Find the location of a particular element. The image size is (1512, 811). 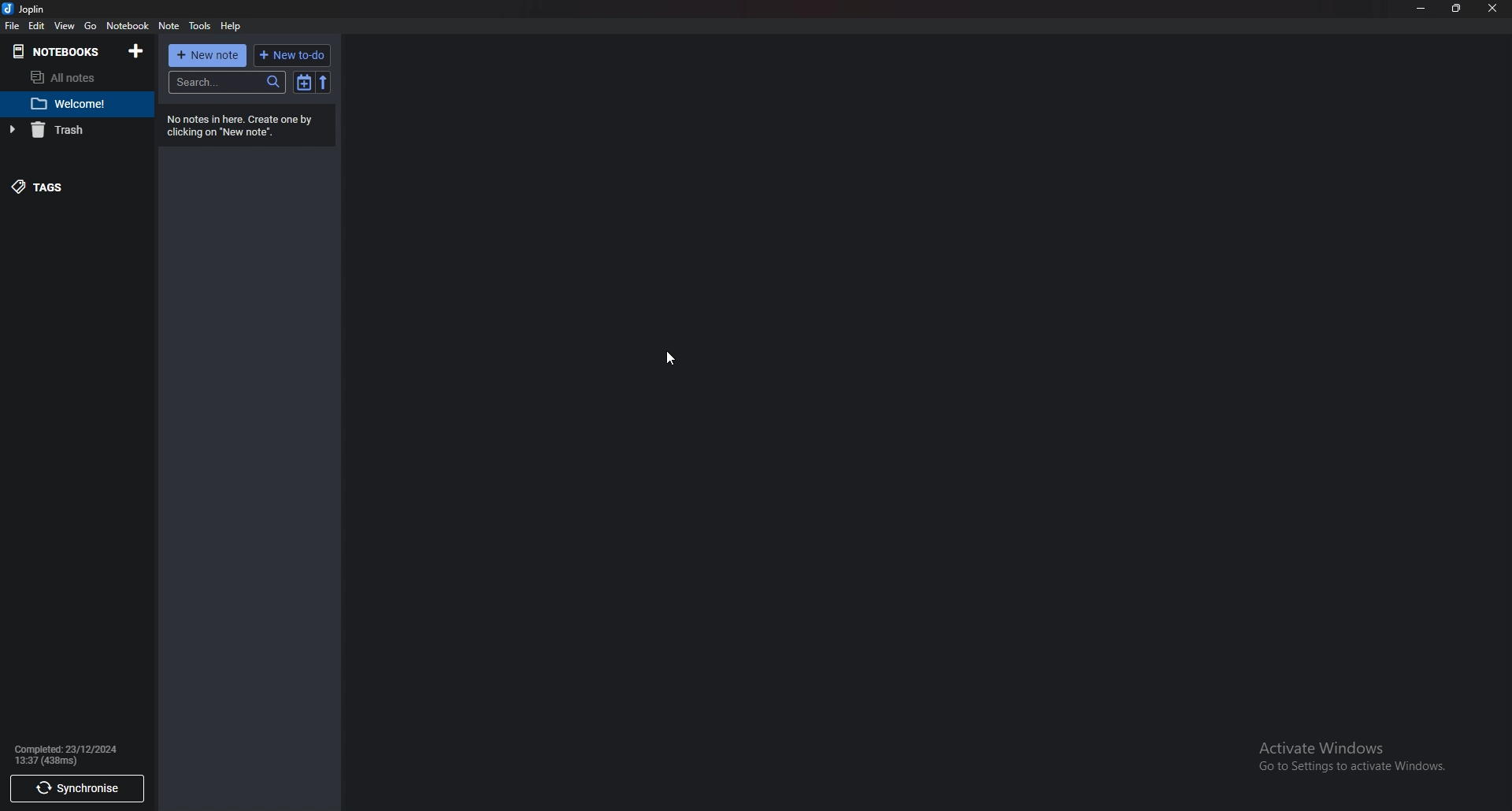

Welcome is located at coordinates (76, 103).